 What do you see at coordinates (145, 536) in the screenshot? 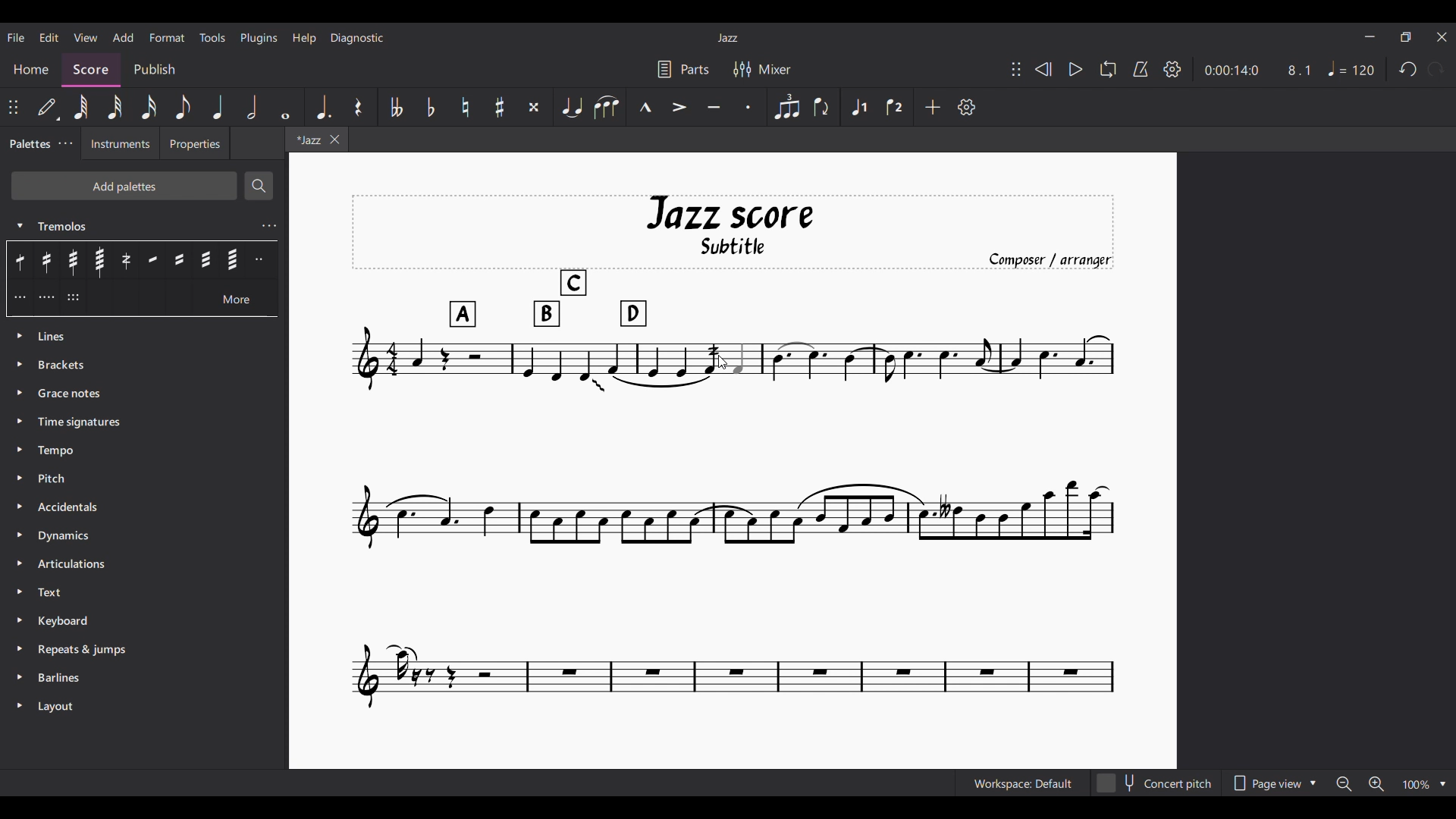
I see `Dynamics` at bounding box center [145, 536].